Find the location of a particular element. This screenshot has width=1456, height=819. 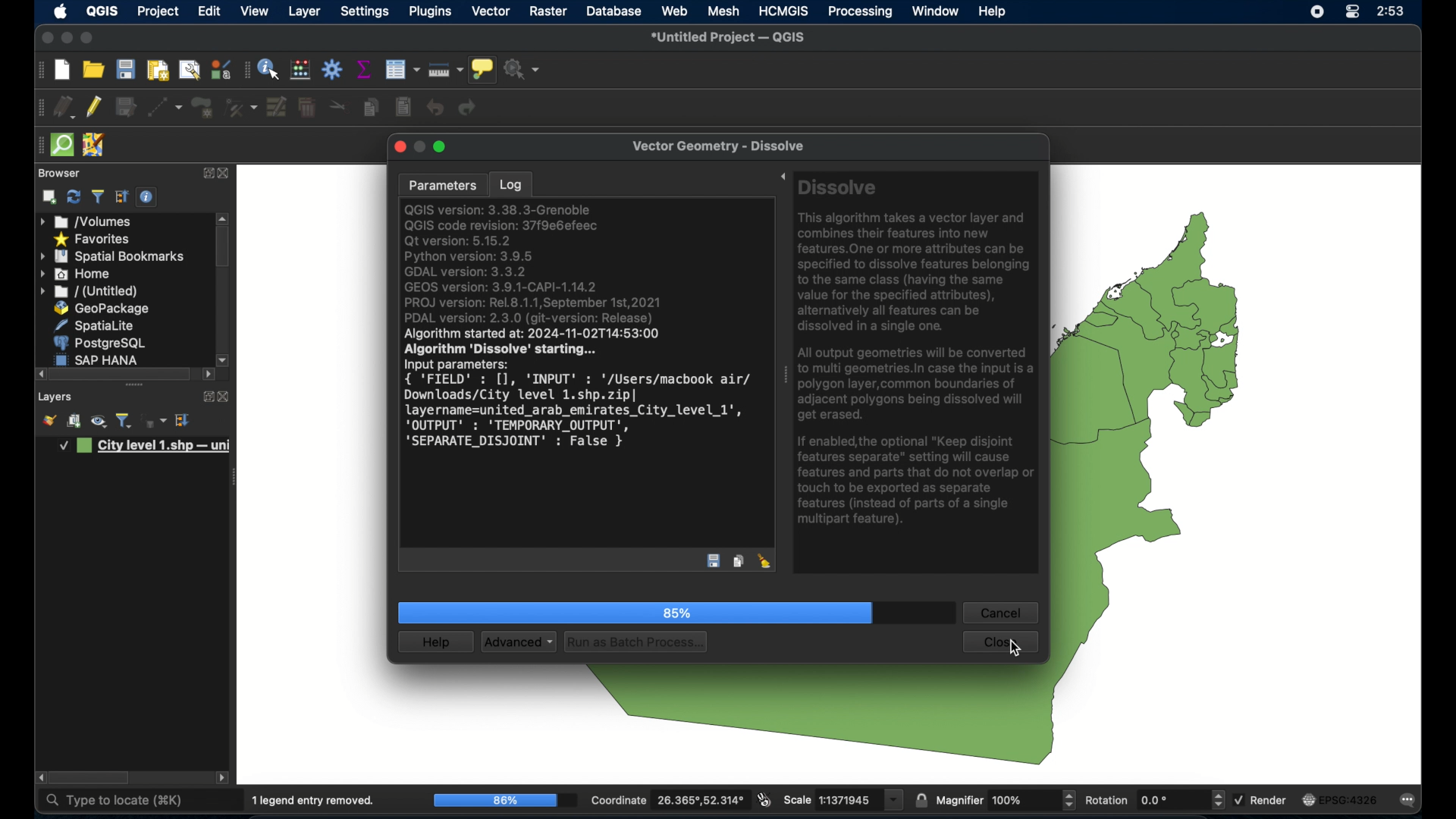

close is located at coordinates (225, 174).